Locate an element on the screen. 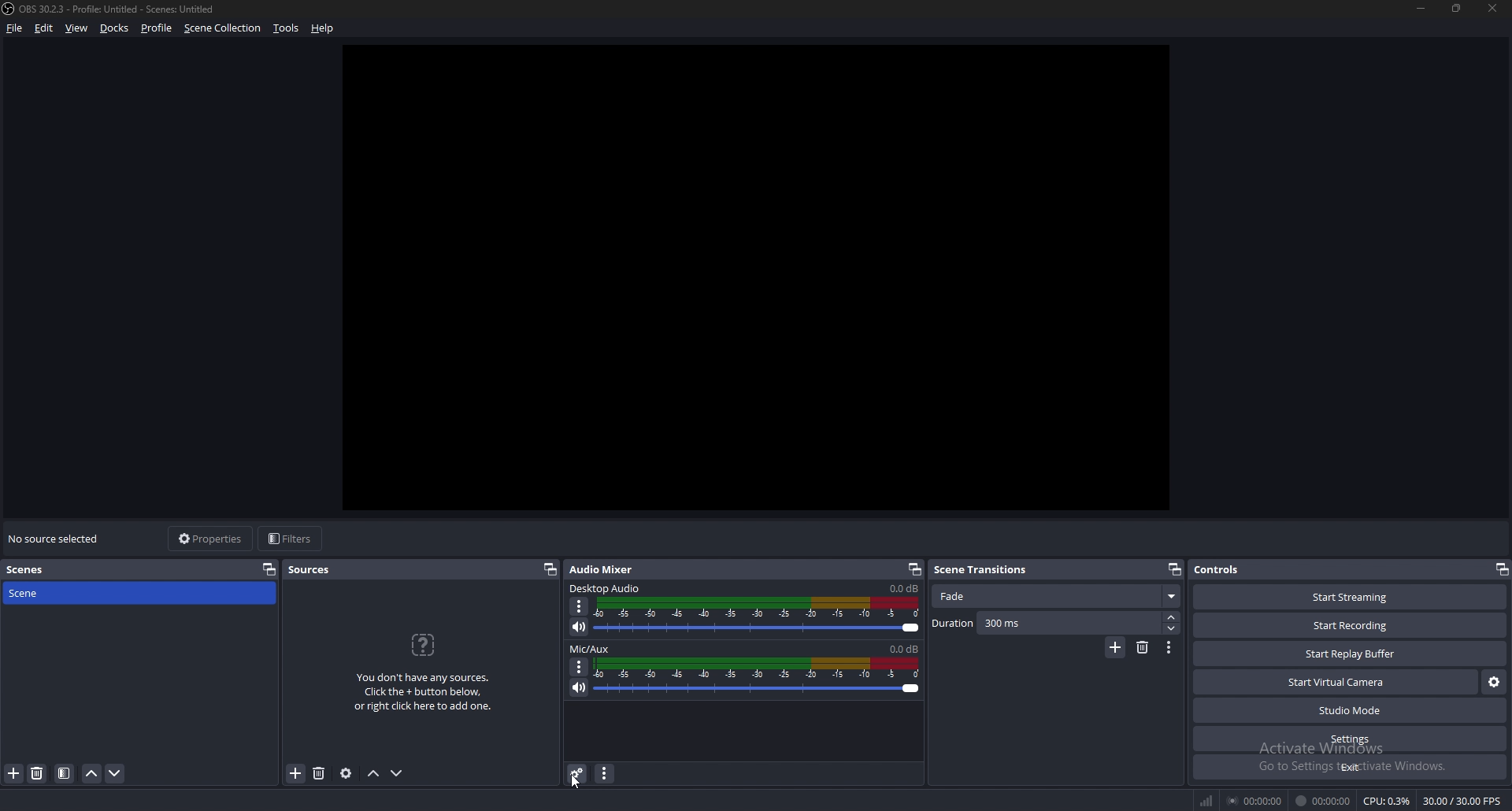 The height and width of the screenshot is (811, 1512). profile is located at coordinates (157, 28).